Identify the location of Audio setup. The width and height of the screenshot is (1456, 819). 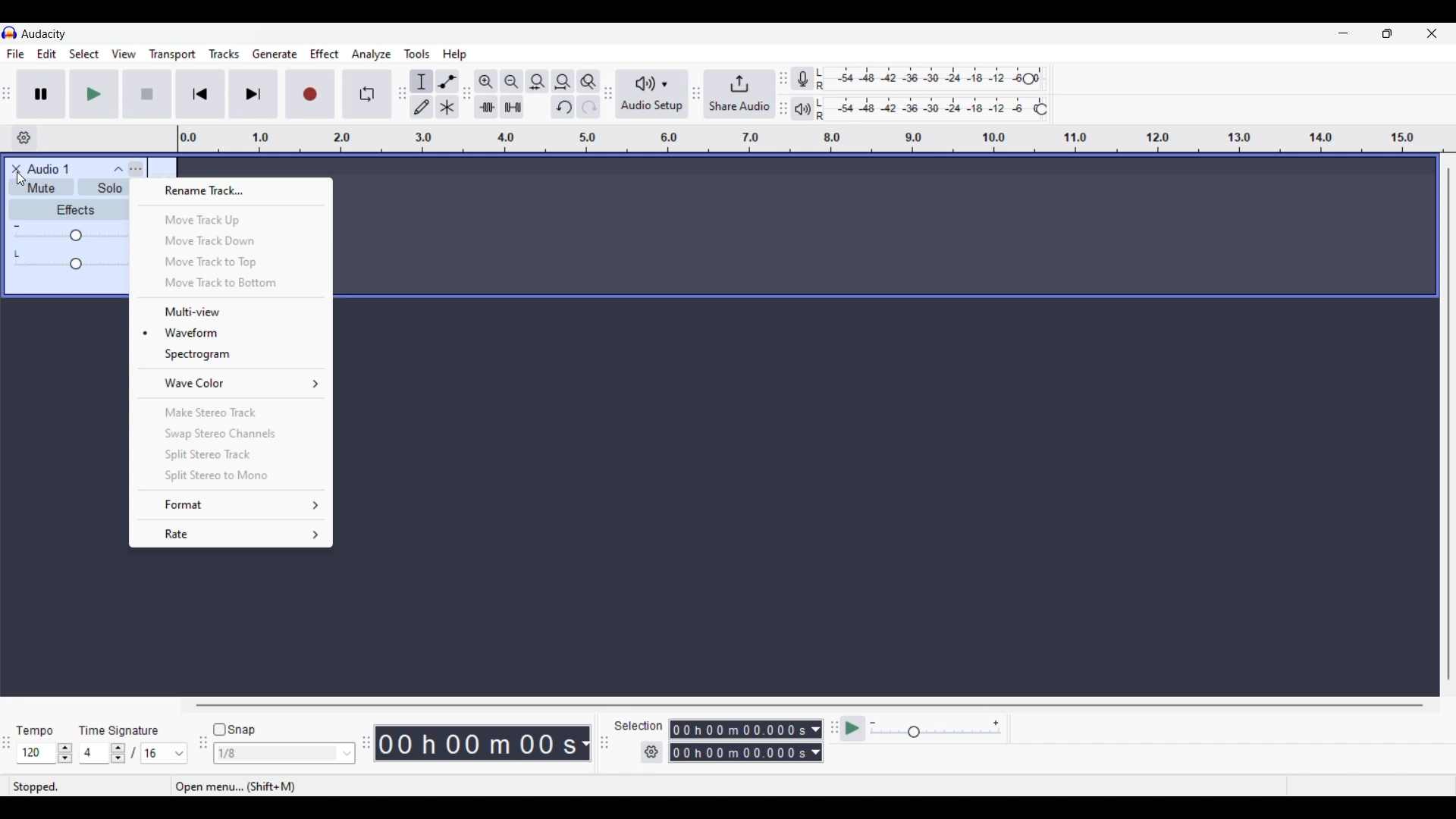
(652, 94).